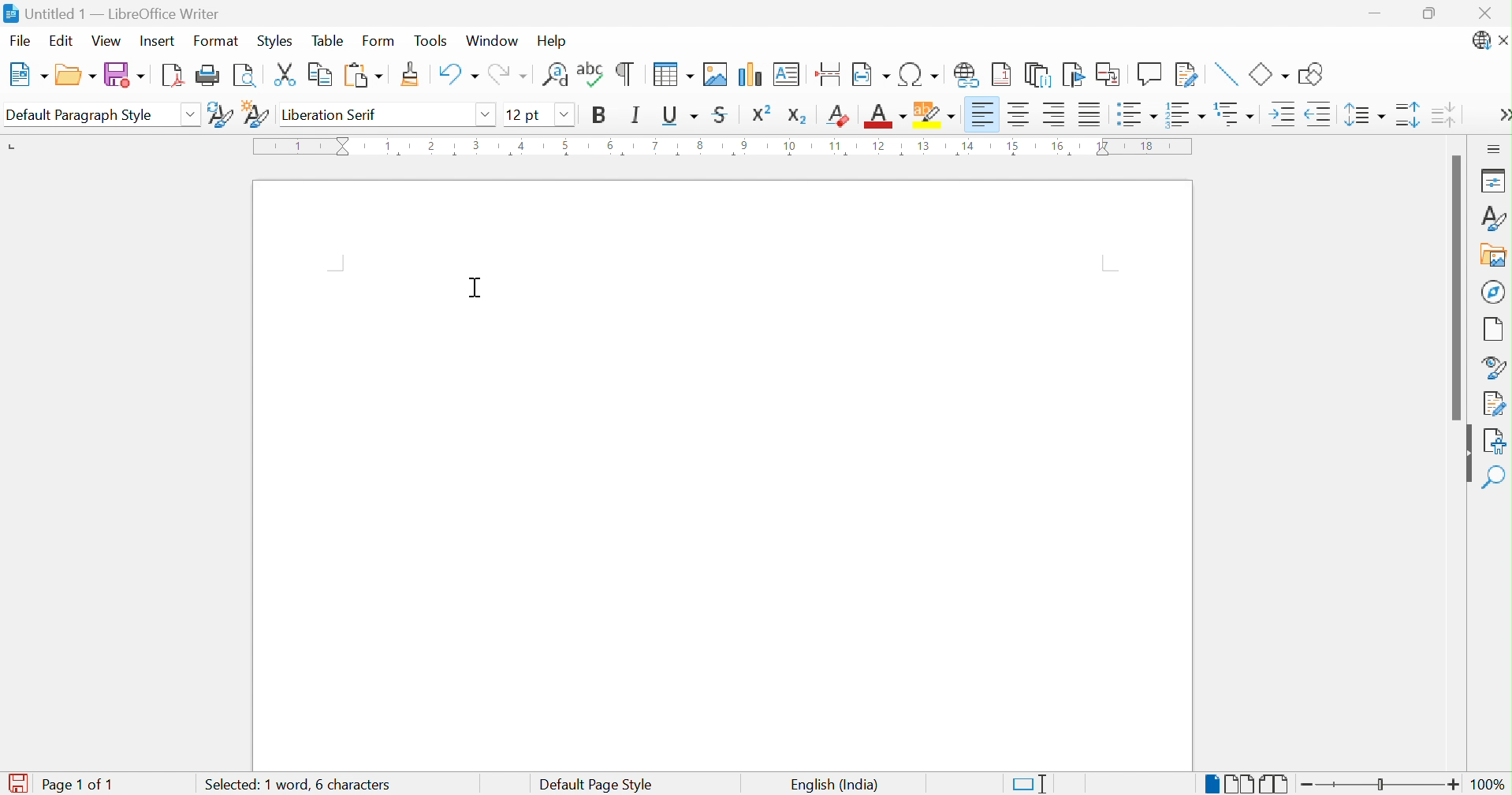 The width and height of the screenshot is (1512, 795). I want to click on Window, so click(495, 42).